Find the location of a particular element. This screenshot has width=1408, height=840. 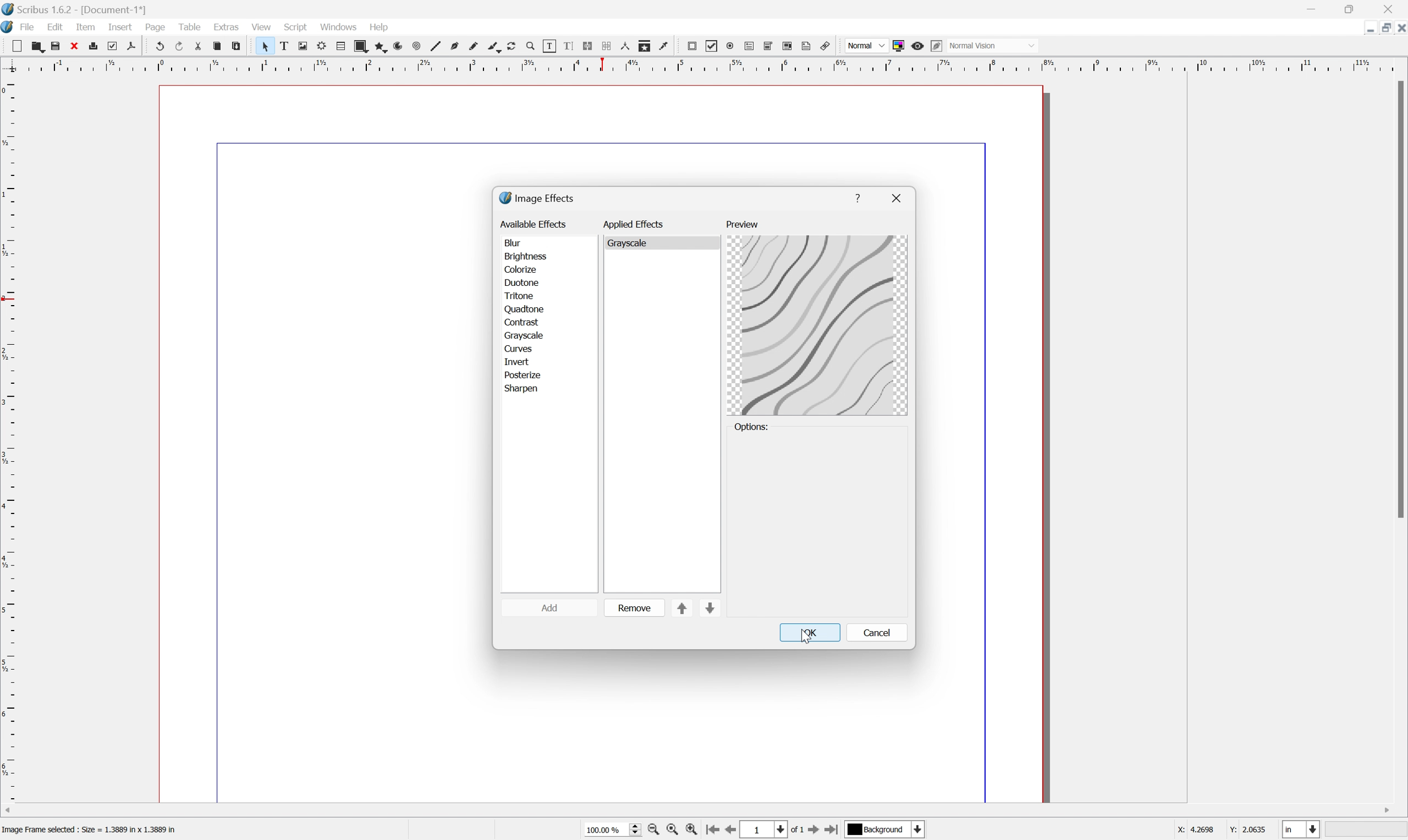

Toggle color management system is located at coordinates (901, 45).